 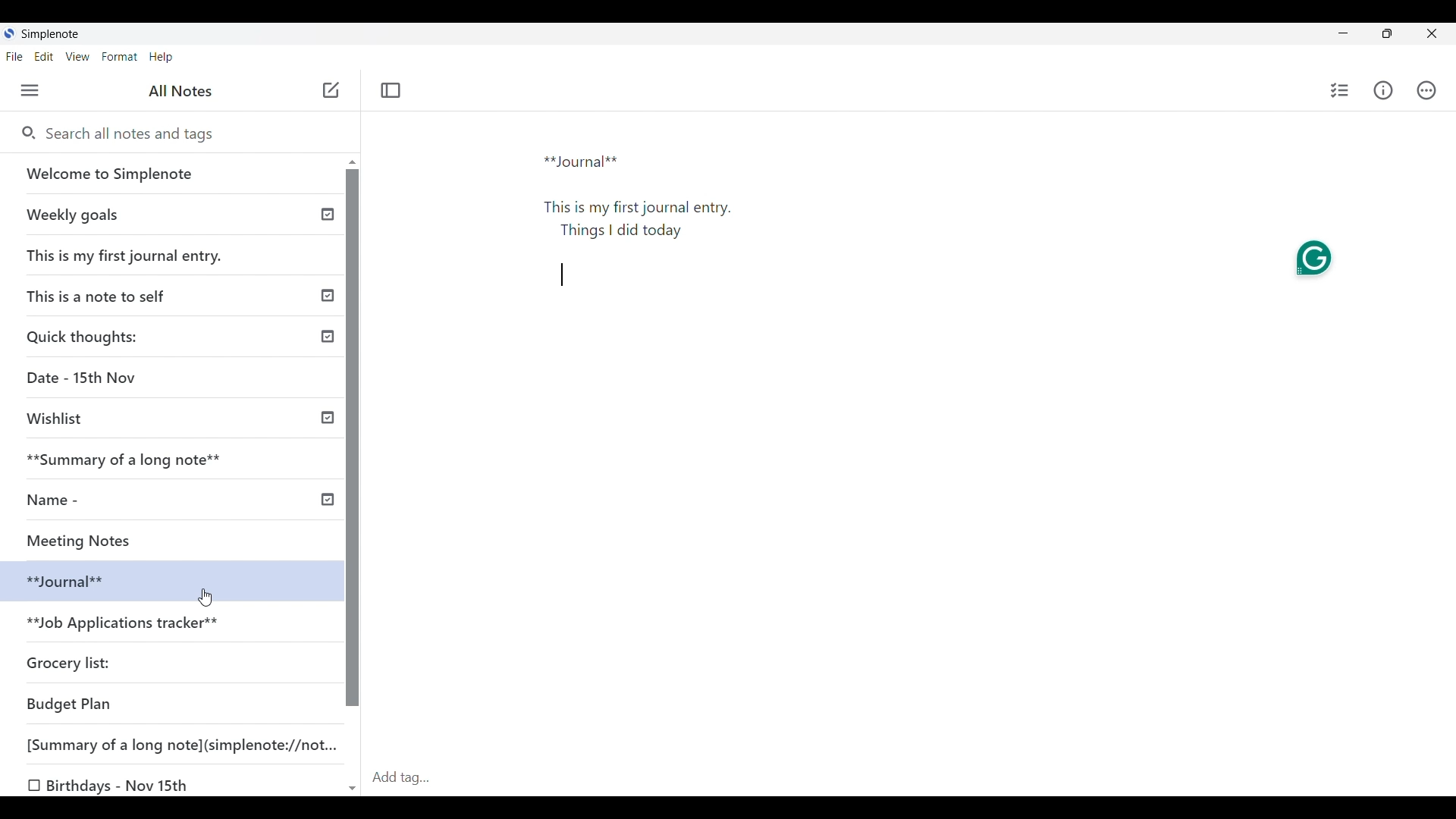 I want to click on Welcome note by SimpleNote, so click(x=173, y=173).